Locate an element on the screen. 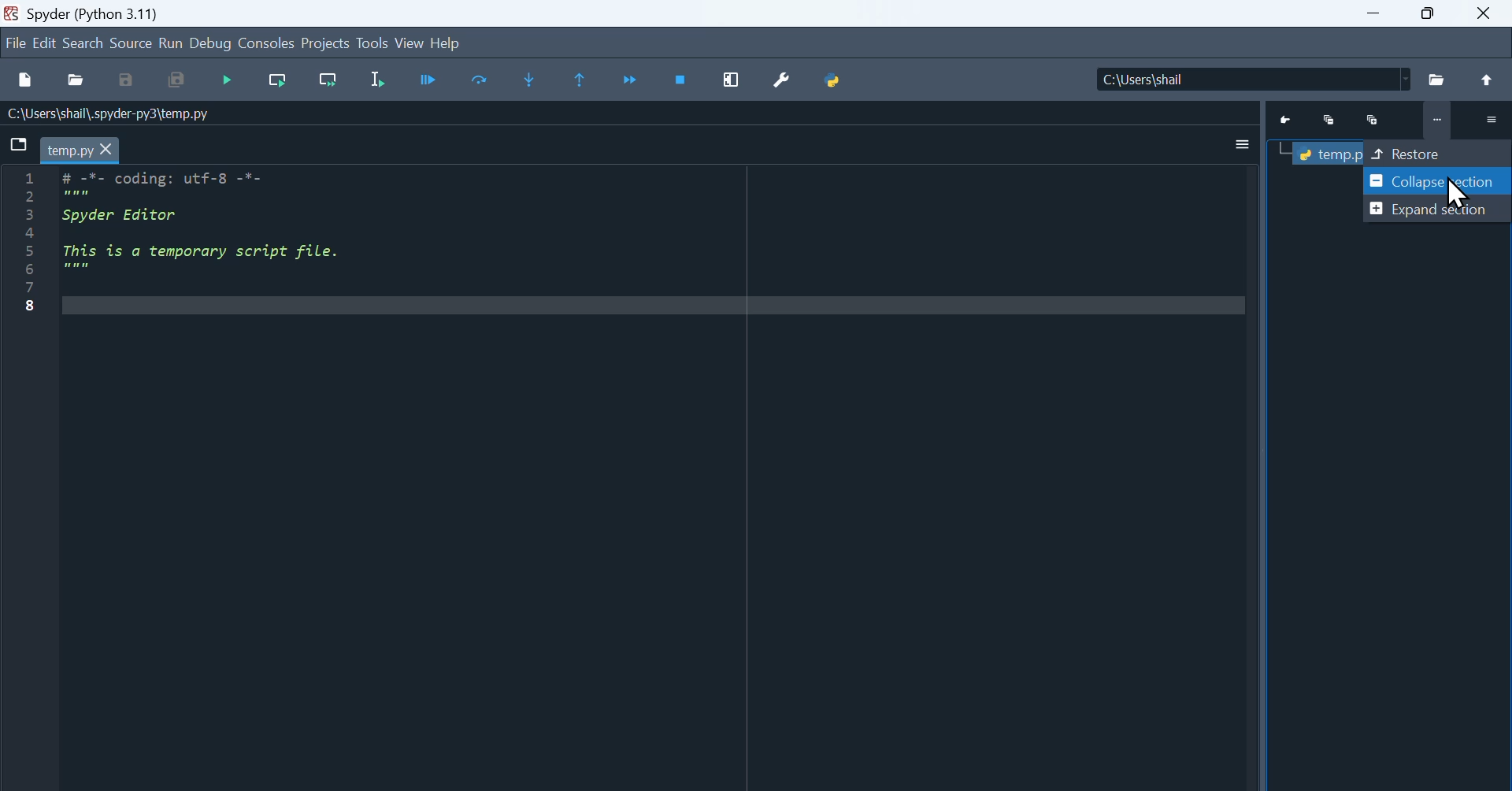  Execute current line is located at coordinates (481, 81).